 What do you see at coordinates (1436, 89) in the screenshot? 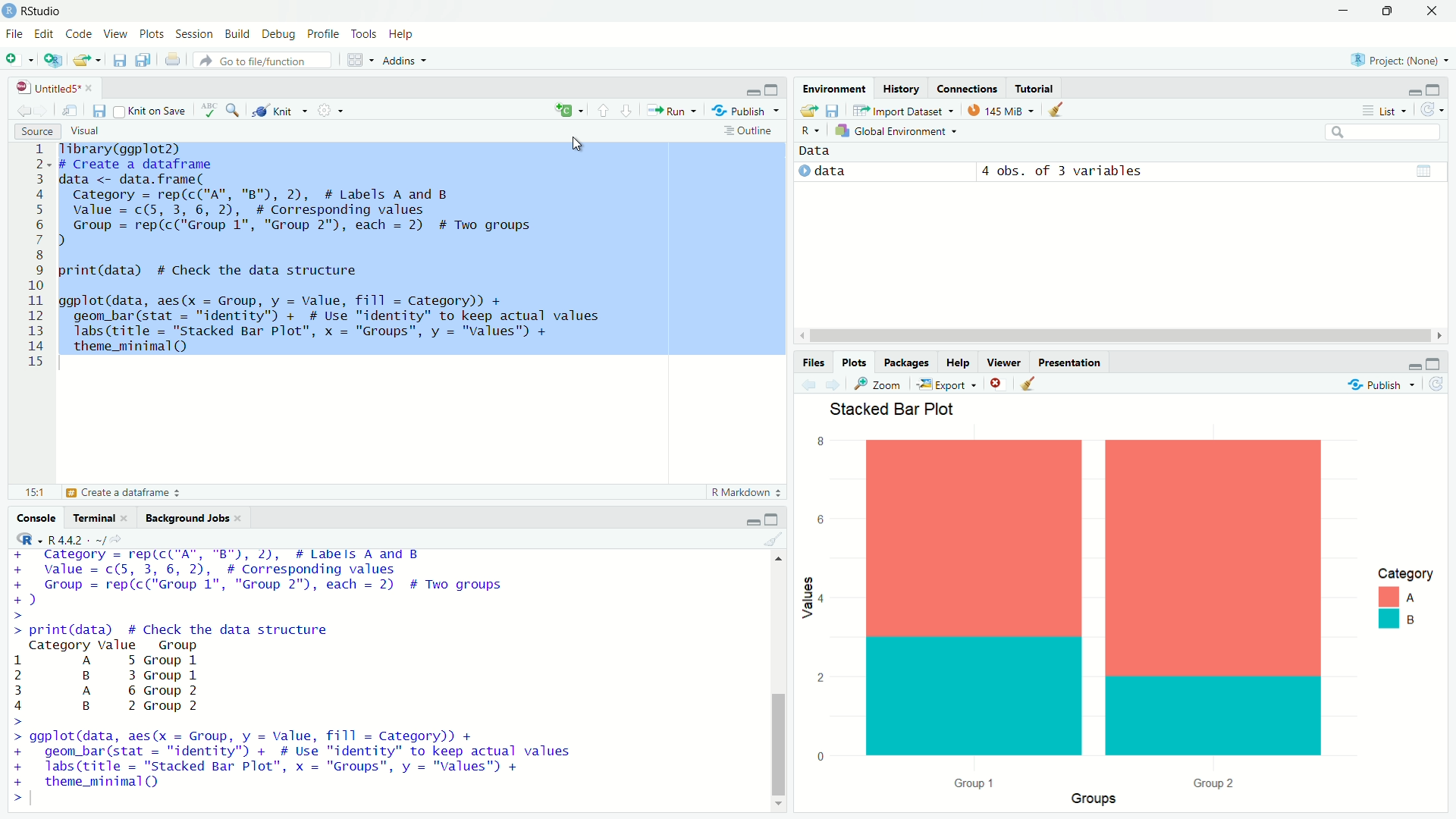
I see `Maximize` at bounding box center [1436, 89].